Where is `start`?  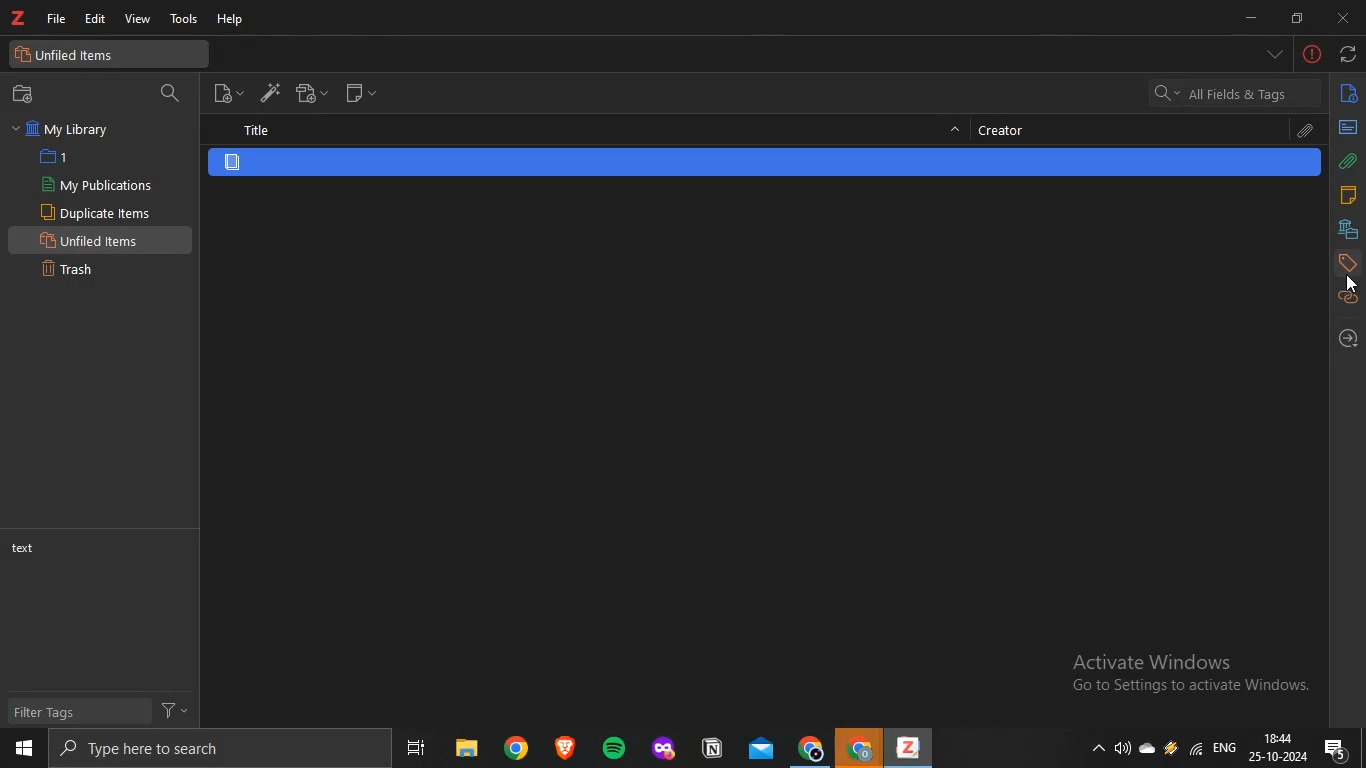 start is located at coordinates (20, 750).